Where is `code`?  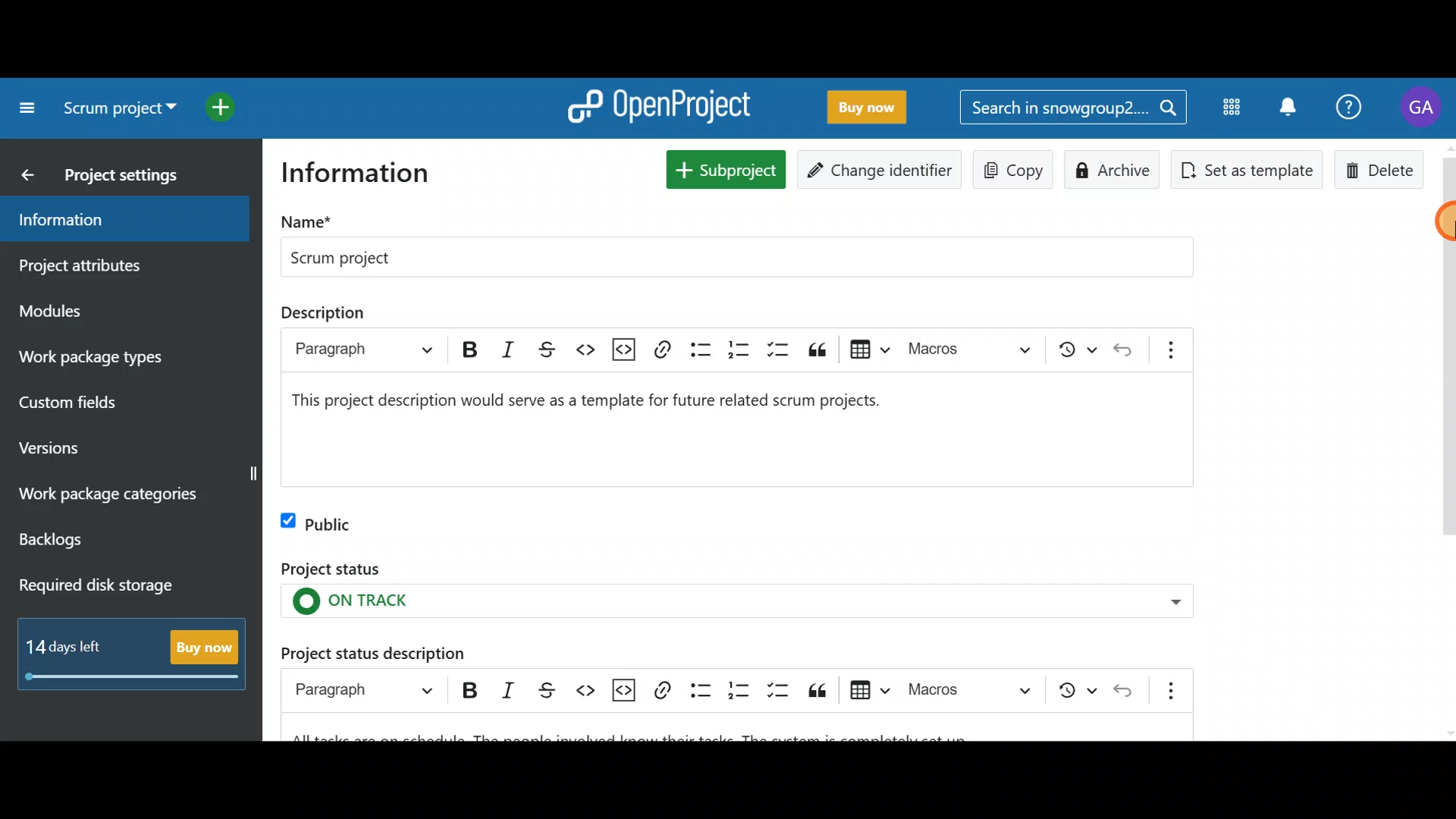 code is located at coordinates (585, 350).